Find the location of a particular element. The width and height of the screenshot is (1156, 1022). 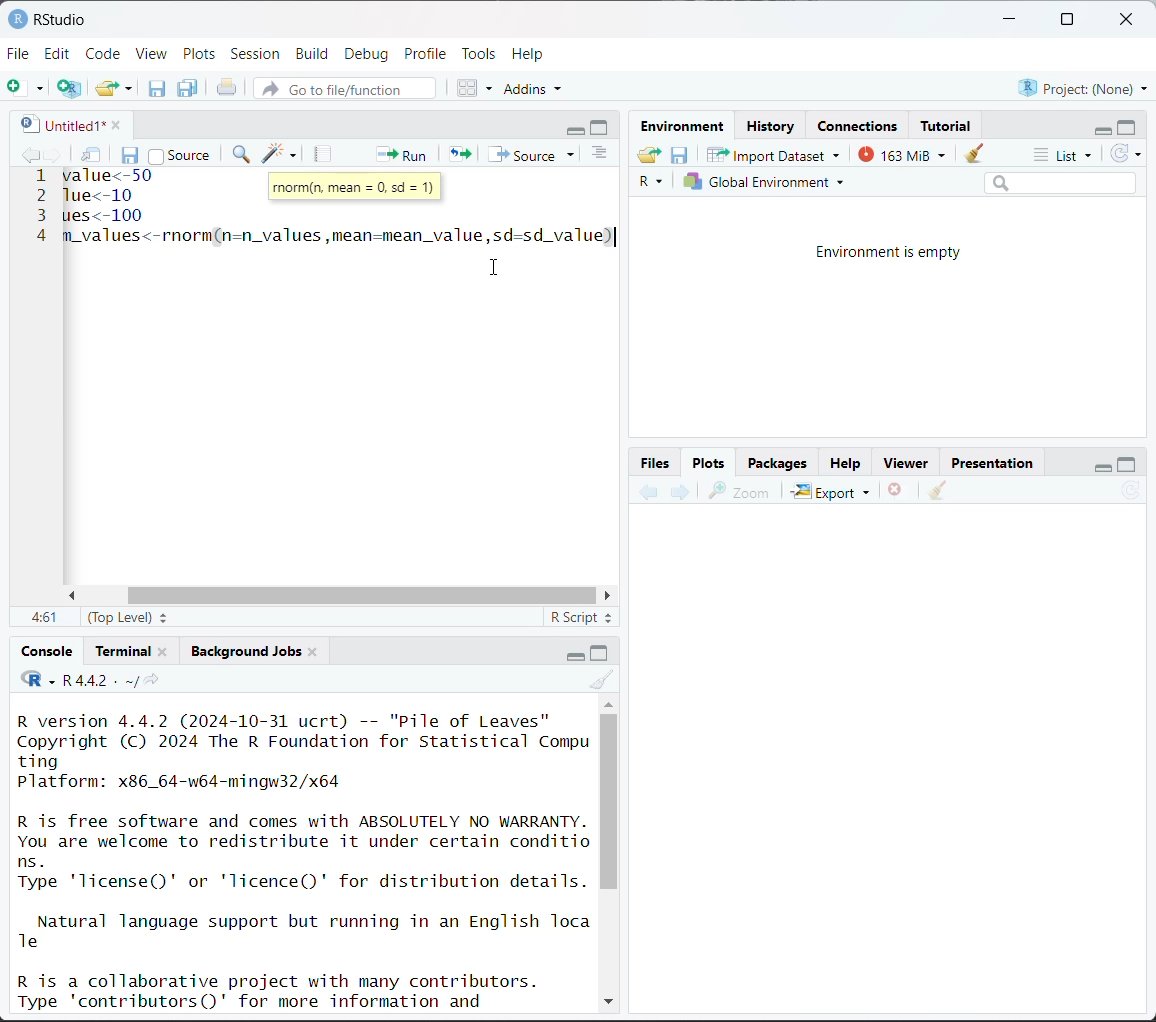

Plots is located at coordinates (709, 461).